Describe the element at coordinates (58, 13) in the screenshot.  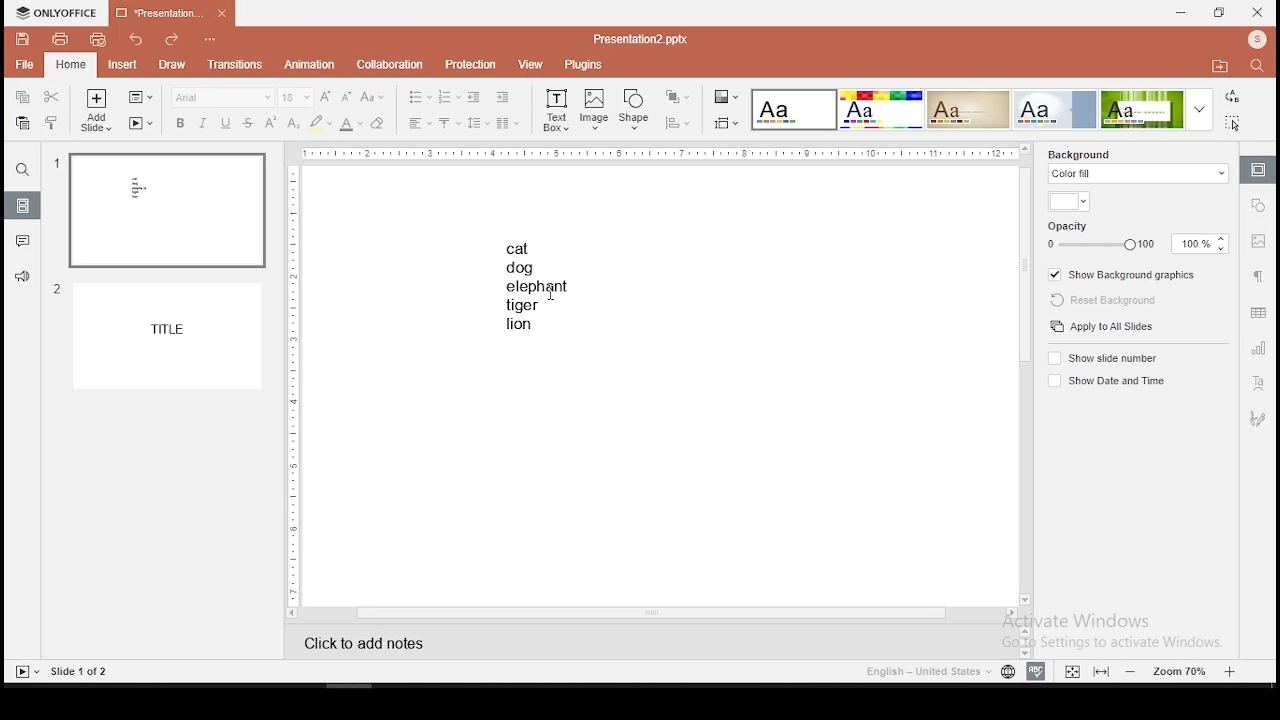
I see `icon` at that location.